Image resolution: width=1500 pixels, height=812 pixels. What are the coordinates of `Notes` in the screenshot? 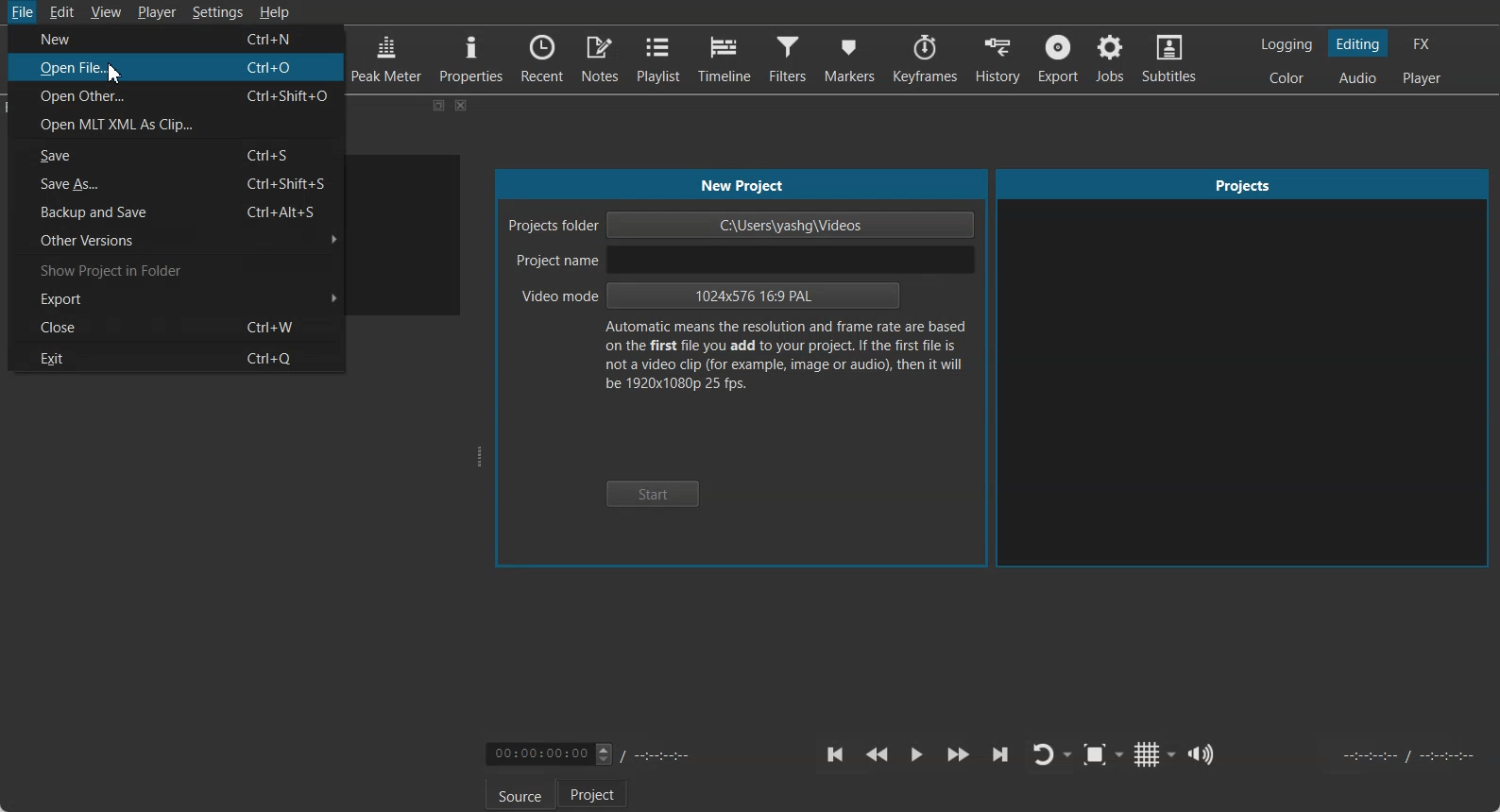 It's located at (601, 58).